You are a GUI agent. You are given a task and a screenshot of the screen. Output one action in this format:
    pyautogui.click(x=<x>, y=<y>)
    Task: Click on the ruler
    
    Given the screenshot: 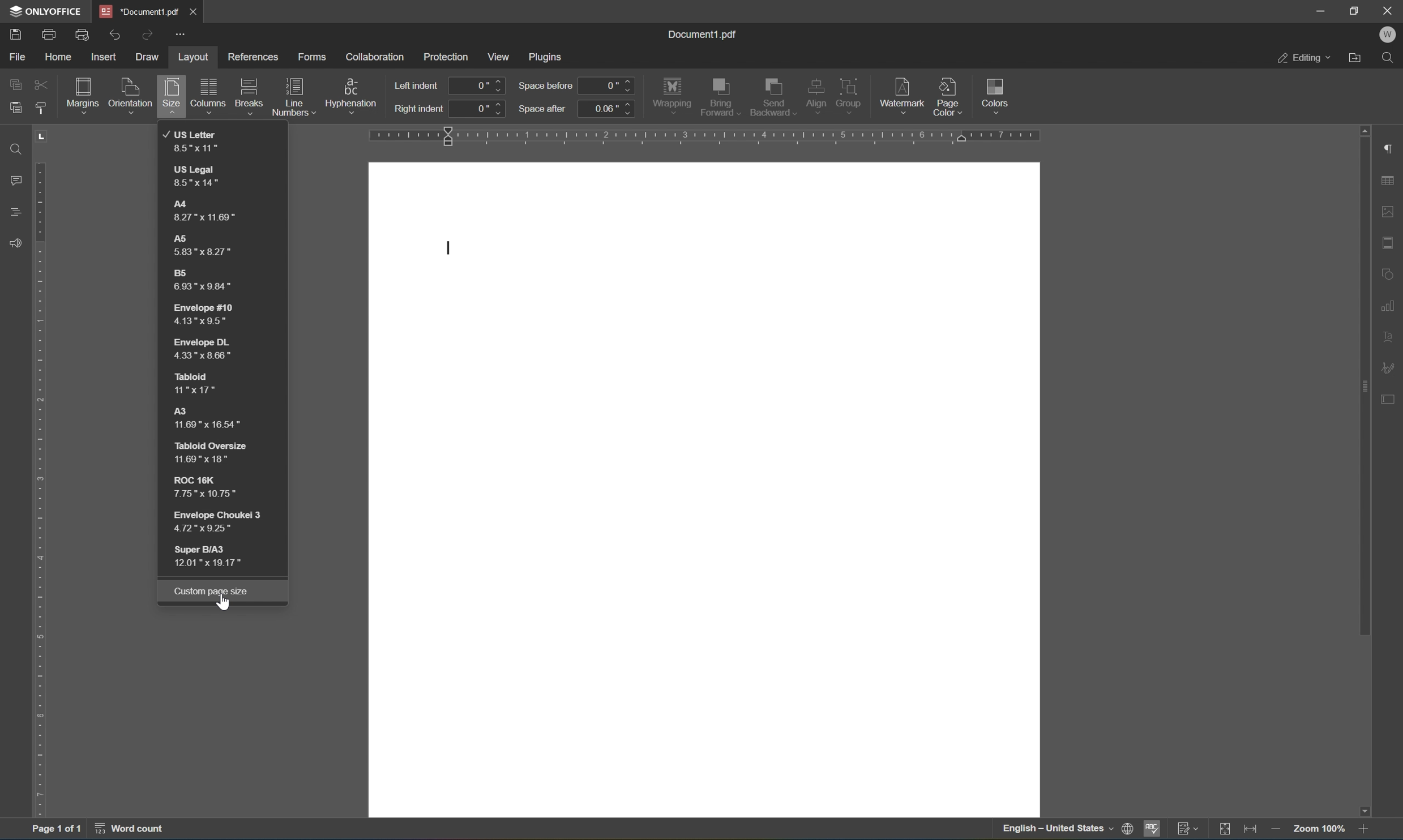 What is the action you would take?
    pyautogui.click(x=707, y=136)
    